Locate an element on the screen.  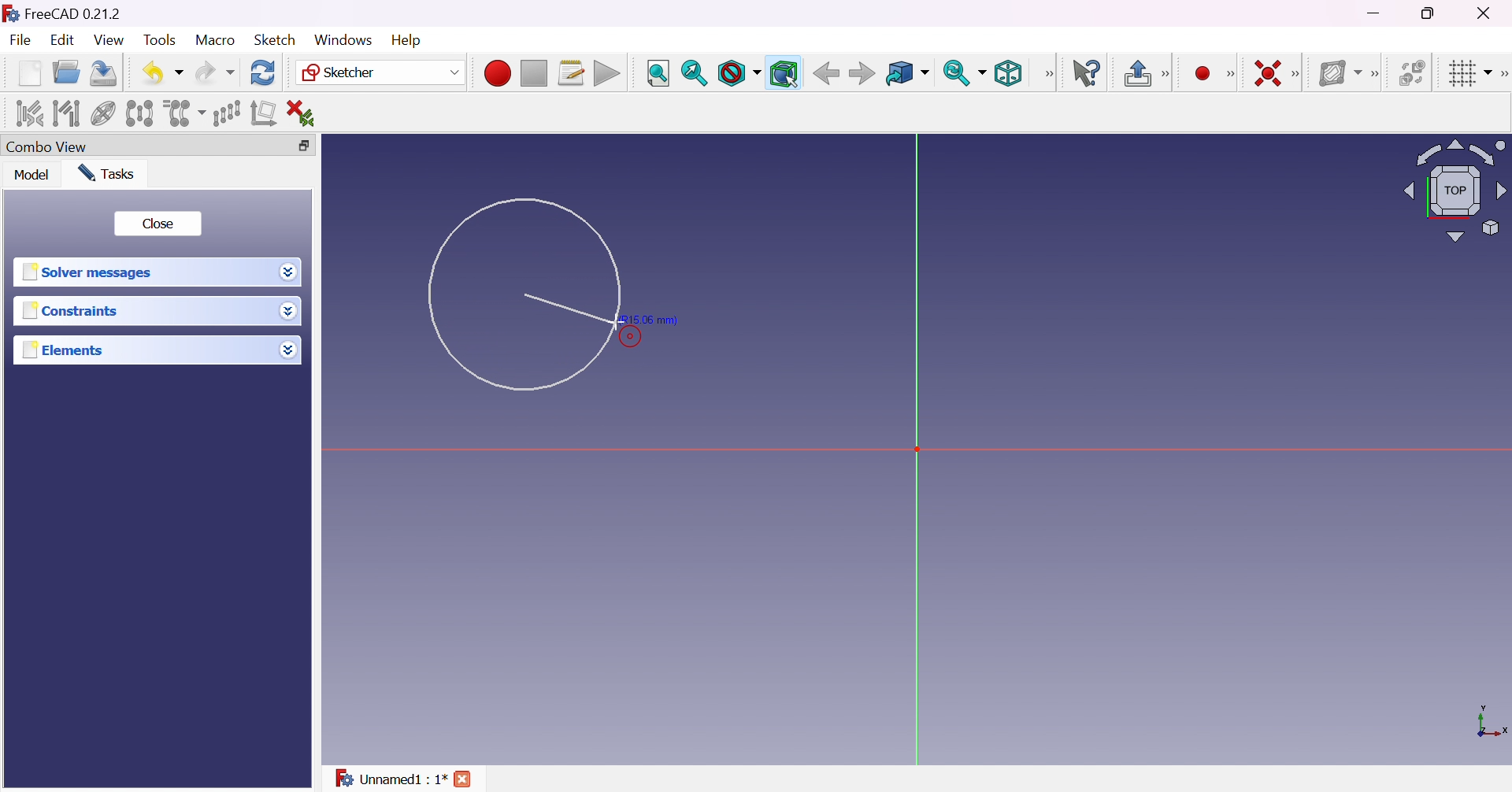
x, y axis is located at coordinates (1490, 723).